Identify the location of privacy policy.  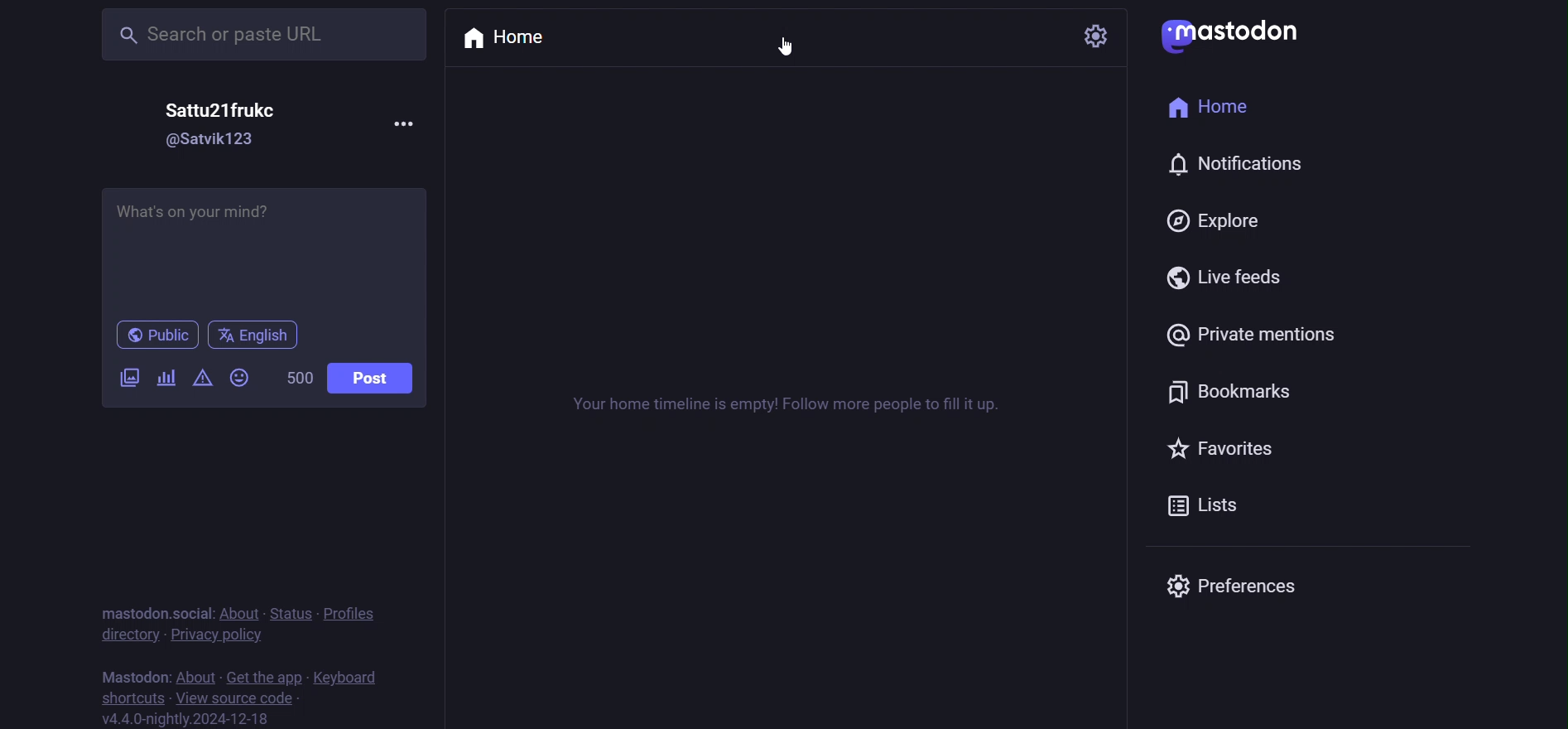
(214, 634).